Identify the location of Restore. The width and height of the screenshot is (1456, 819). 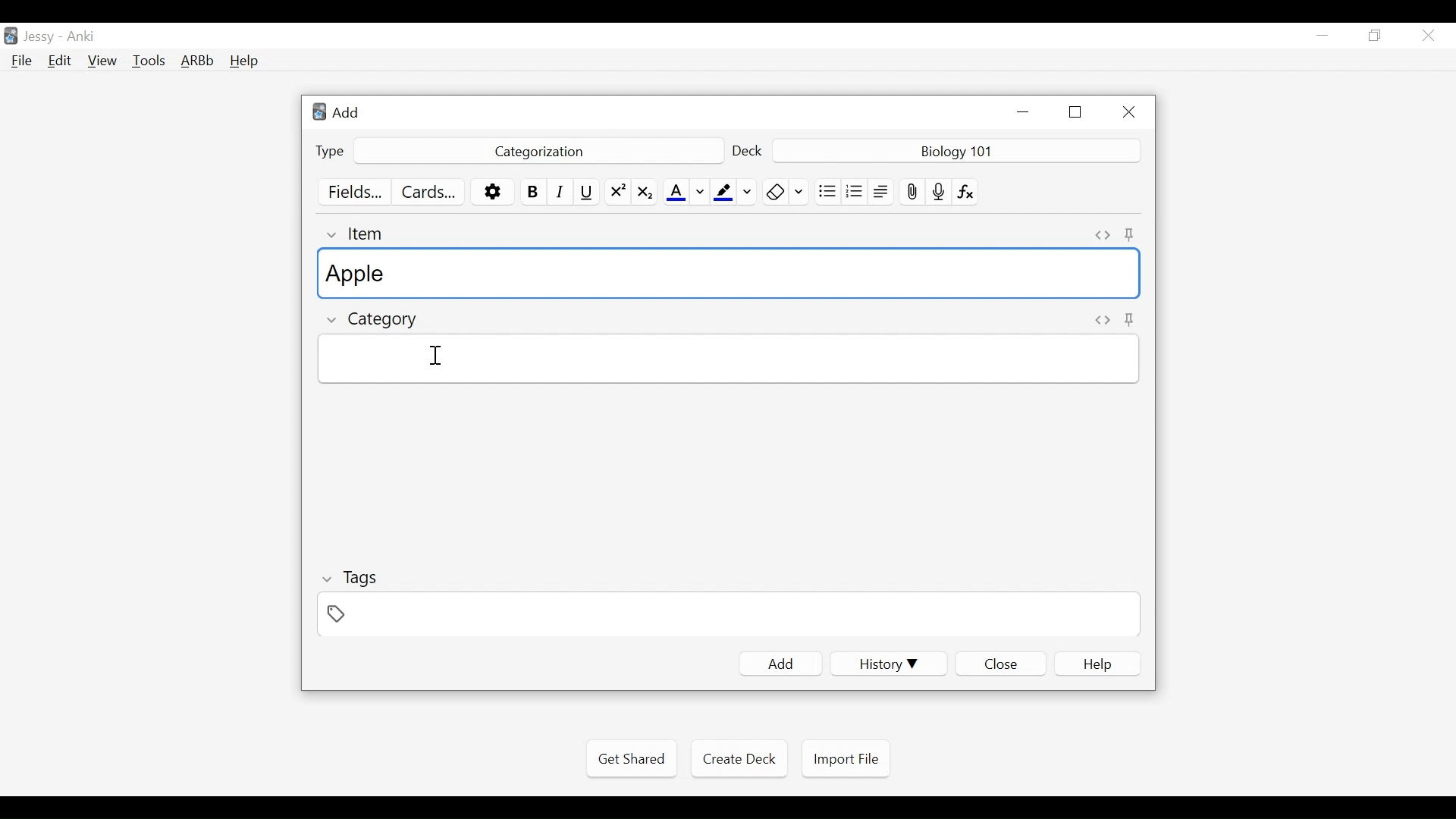
(1076, 112).